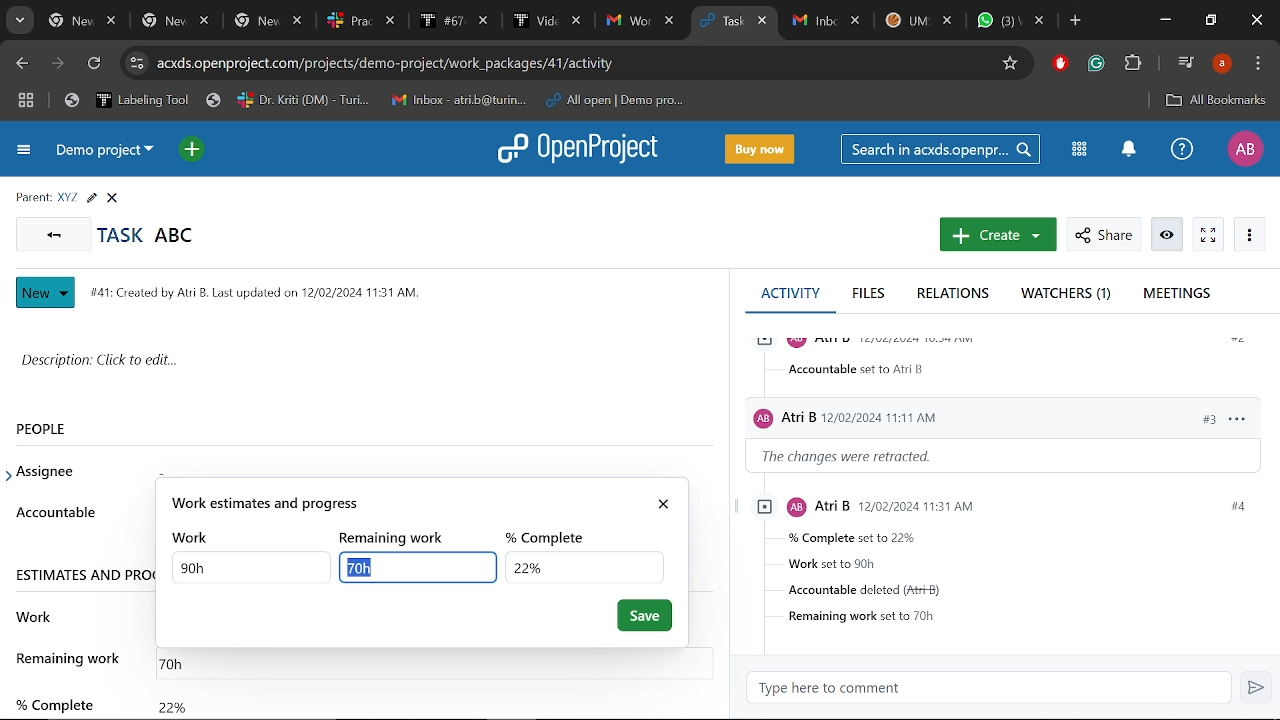 This screenshot has width=1280, height=720. What do you see at coordinates (354, 573) in the screenshot?
I see `Cursor` at bounding box center [354, 573].